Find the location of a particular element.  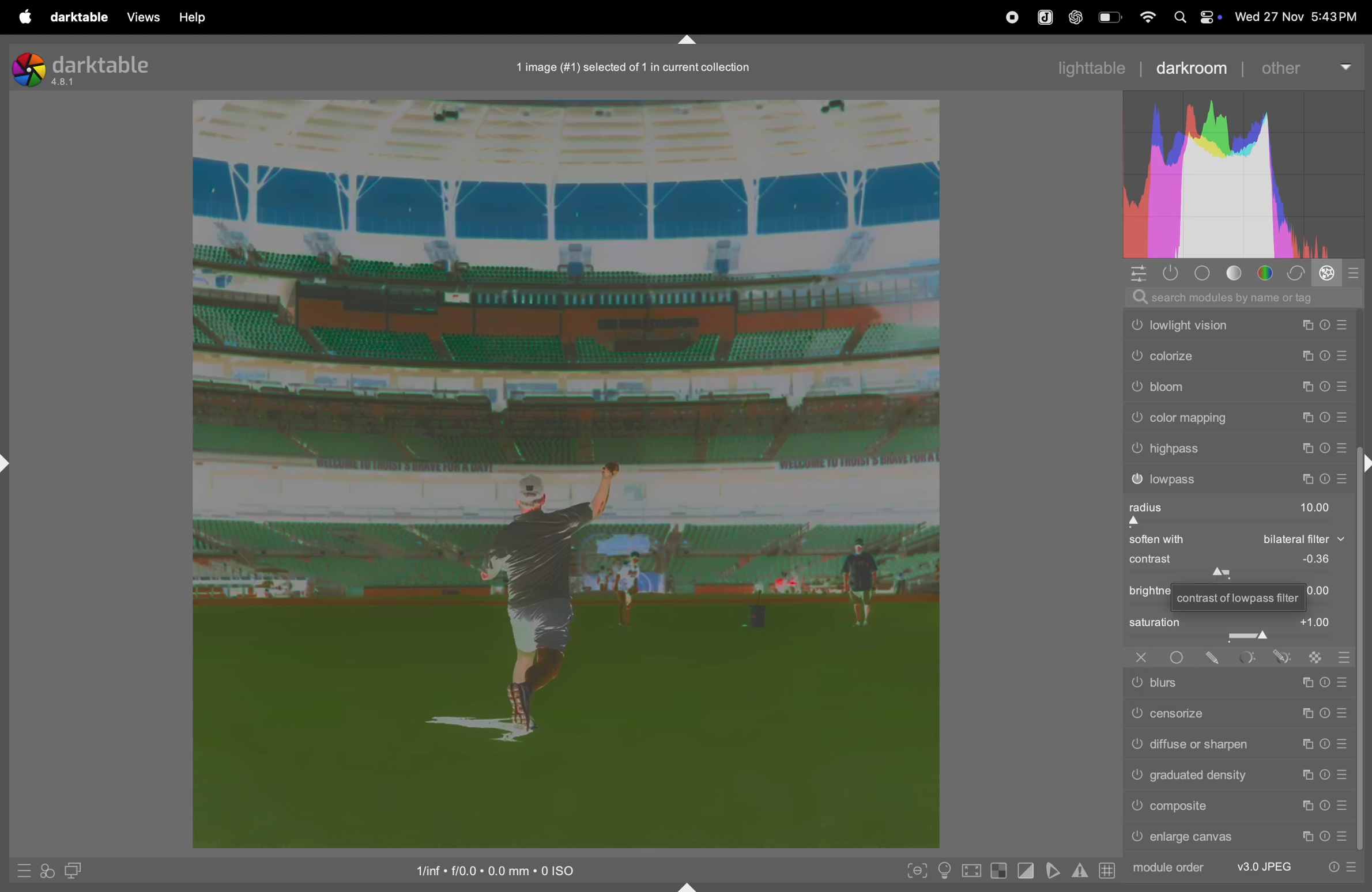

bloom is located at coordinates (1237, 390).